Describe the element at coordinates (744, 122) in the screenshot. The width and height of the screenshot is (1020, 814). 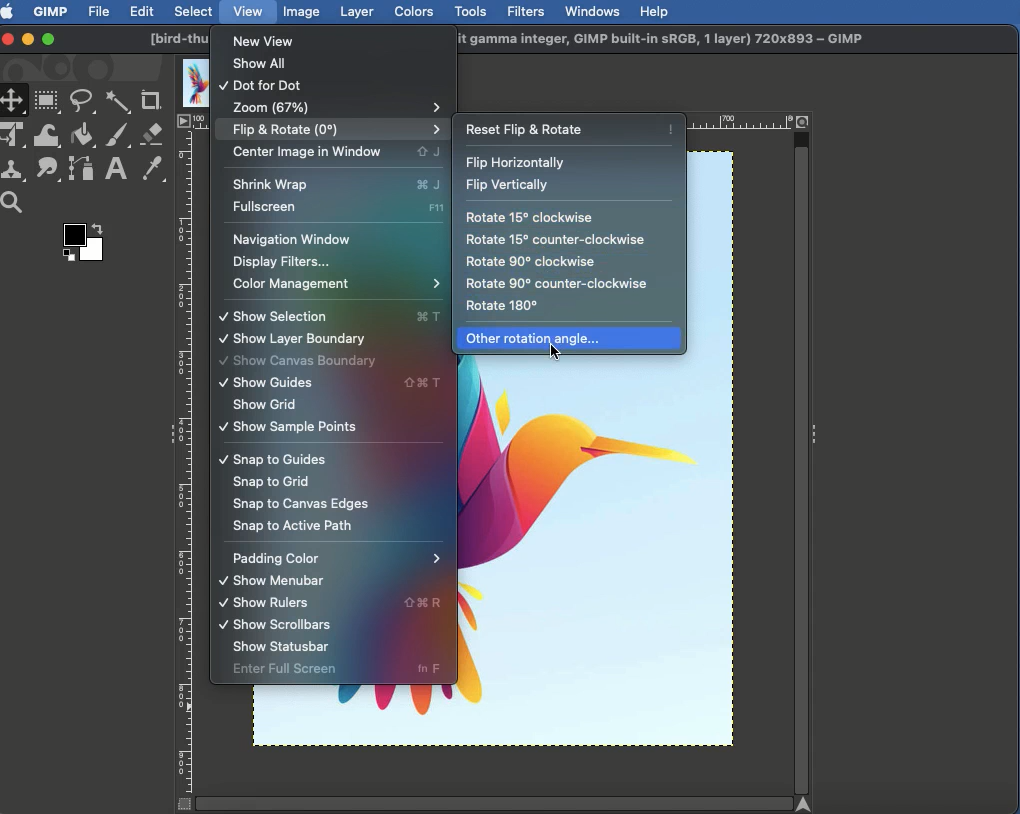
I see `horizontal Ruler` at that location.